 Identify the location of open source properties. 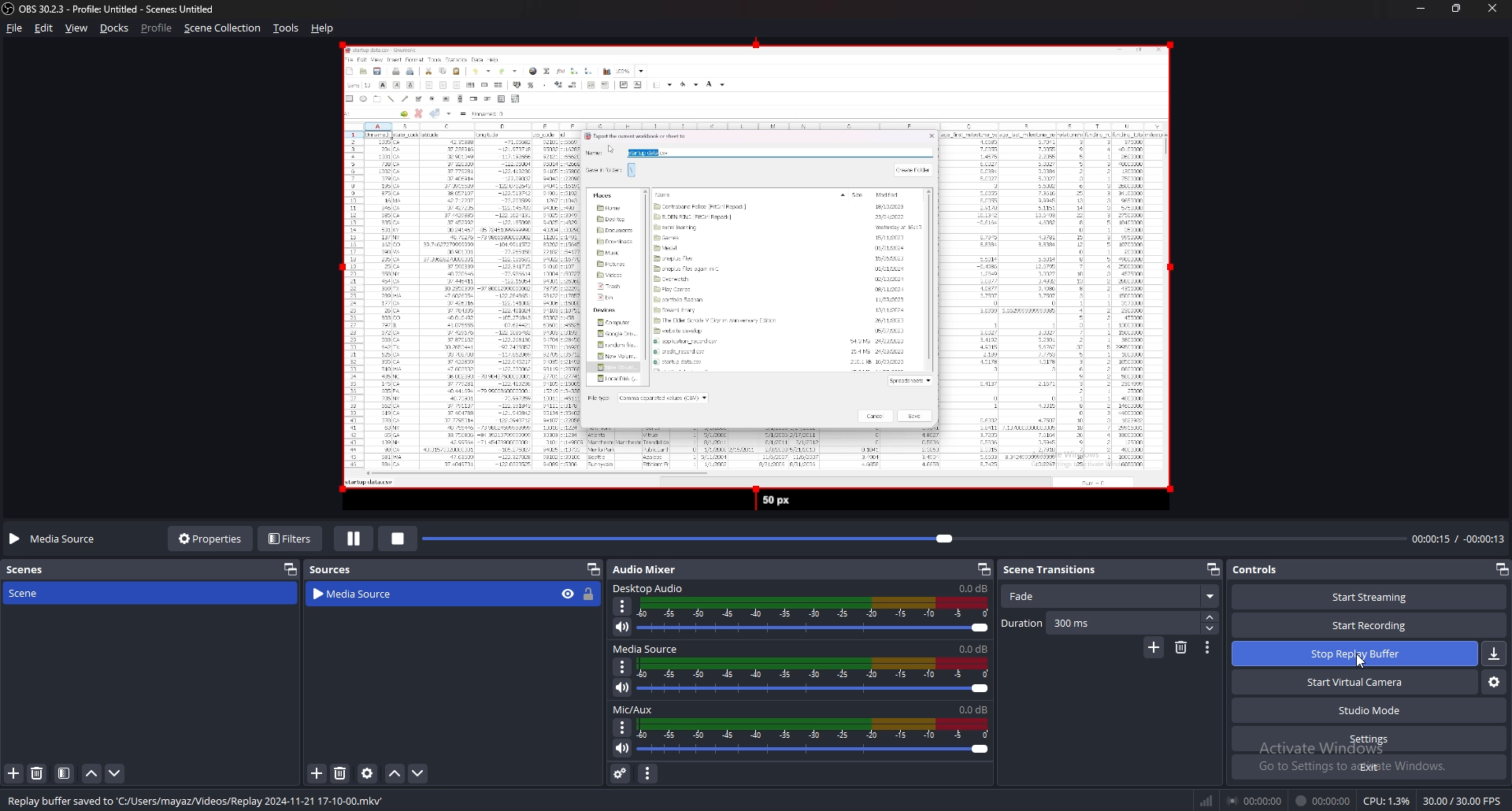
(369, 773).